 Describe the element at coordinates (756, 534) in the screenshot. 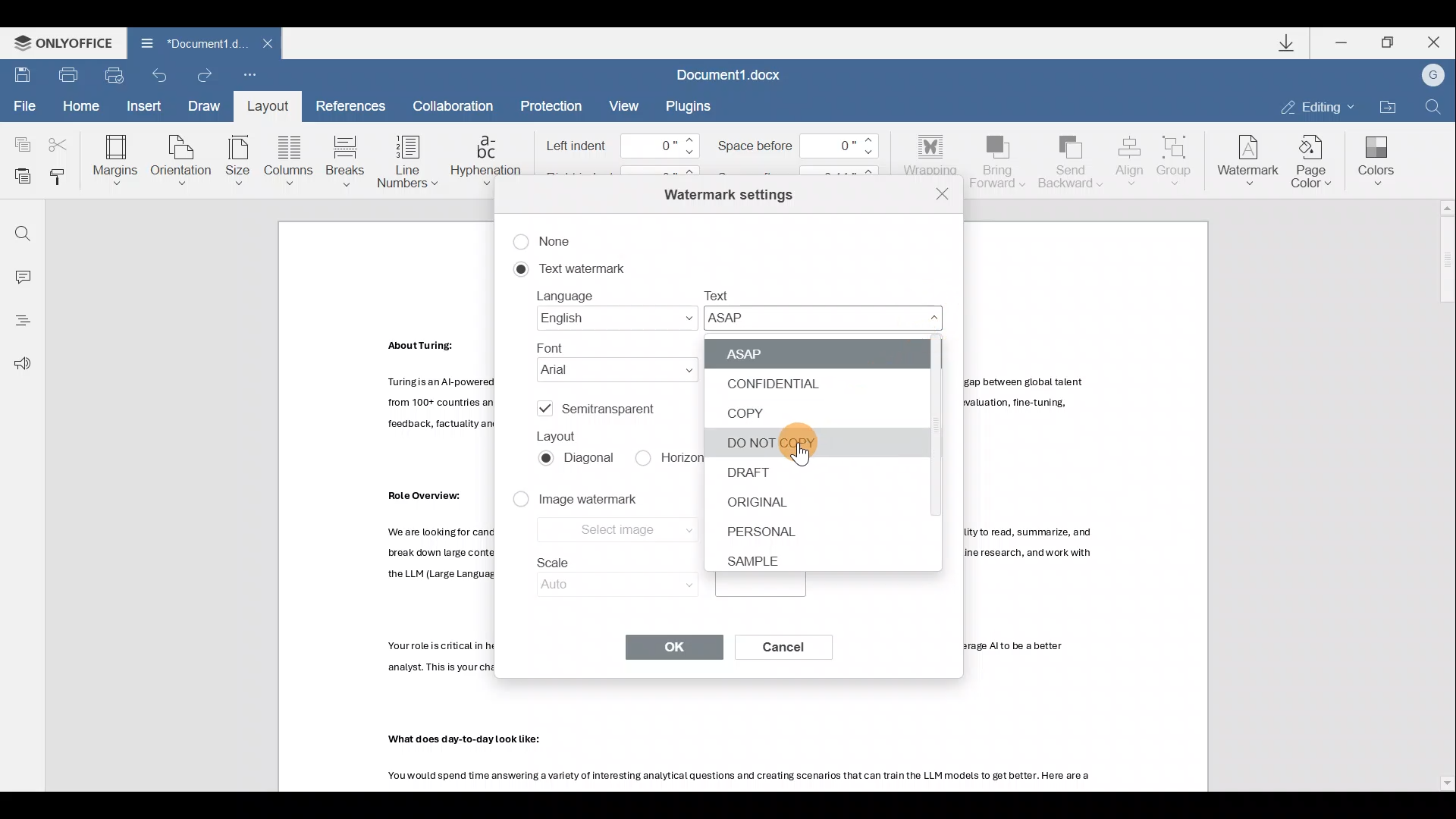

I see `PERSONAL` at that location.